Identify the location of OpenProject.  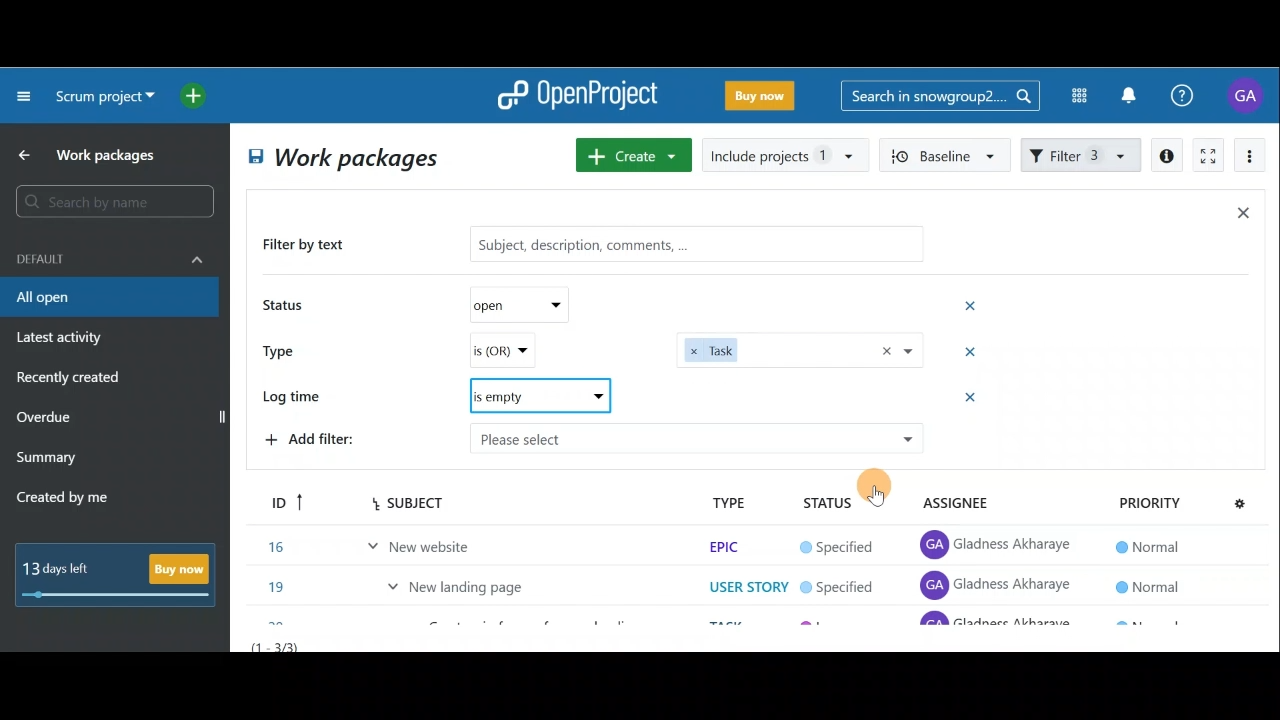
(577, 97).